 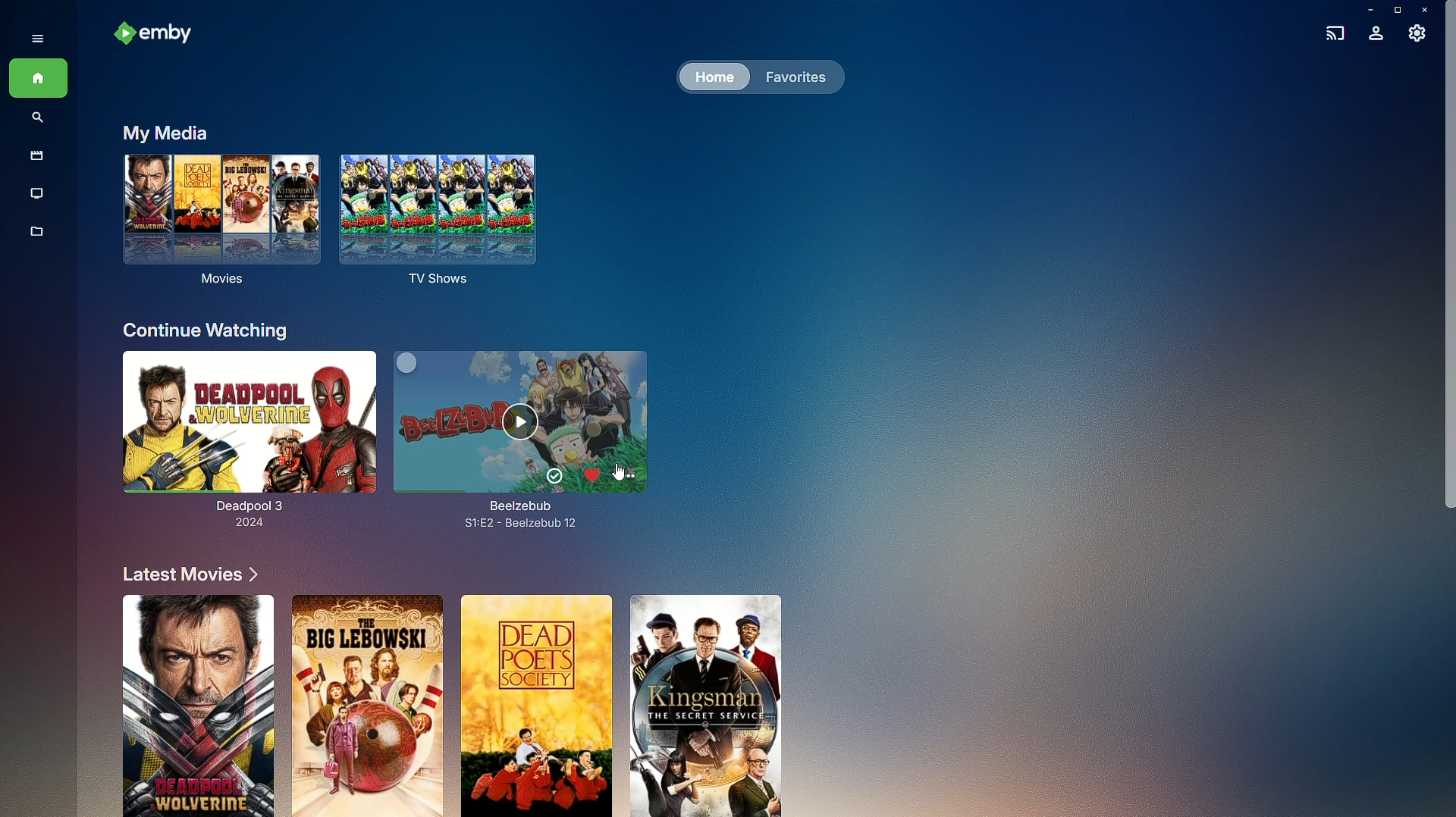 I want to click on Find, so click(x=38, y=119).